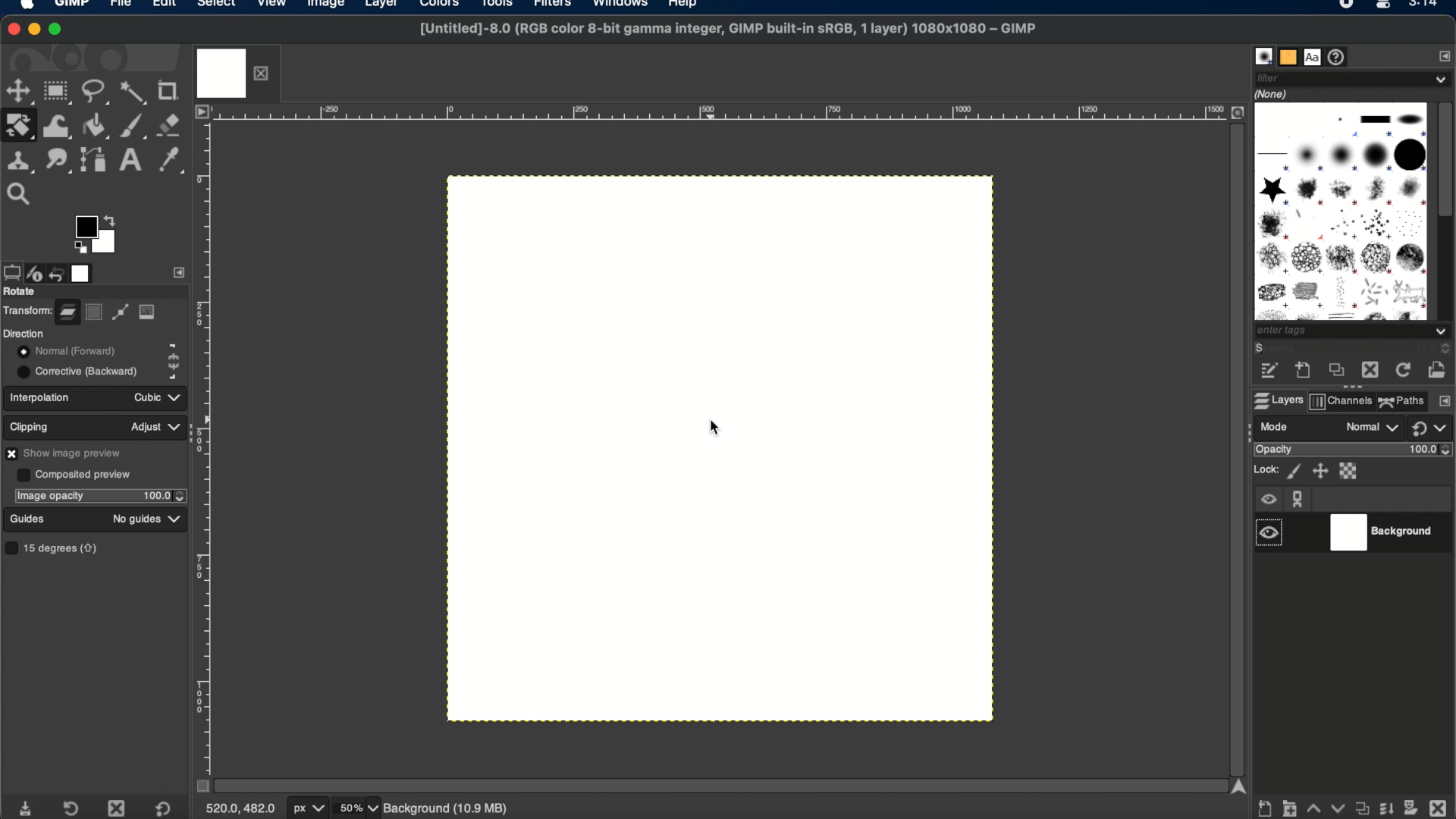 This screenshot has height=819, width=1456. I want to click on visibility icon, so click(1268, 500).